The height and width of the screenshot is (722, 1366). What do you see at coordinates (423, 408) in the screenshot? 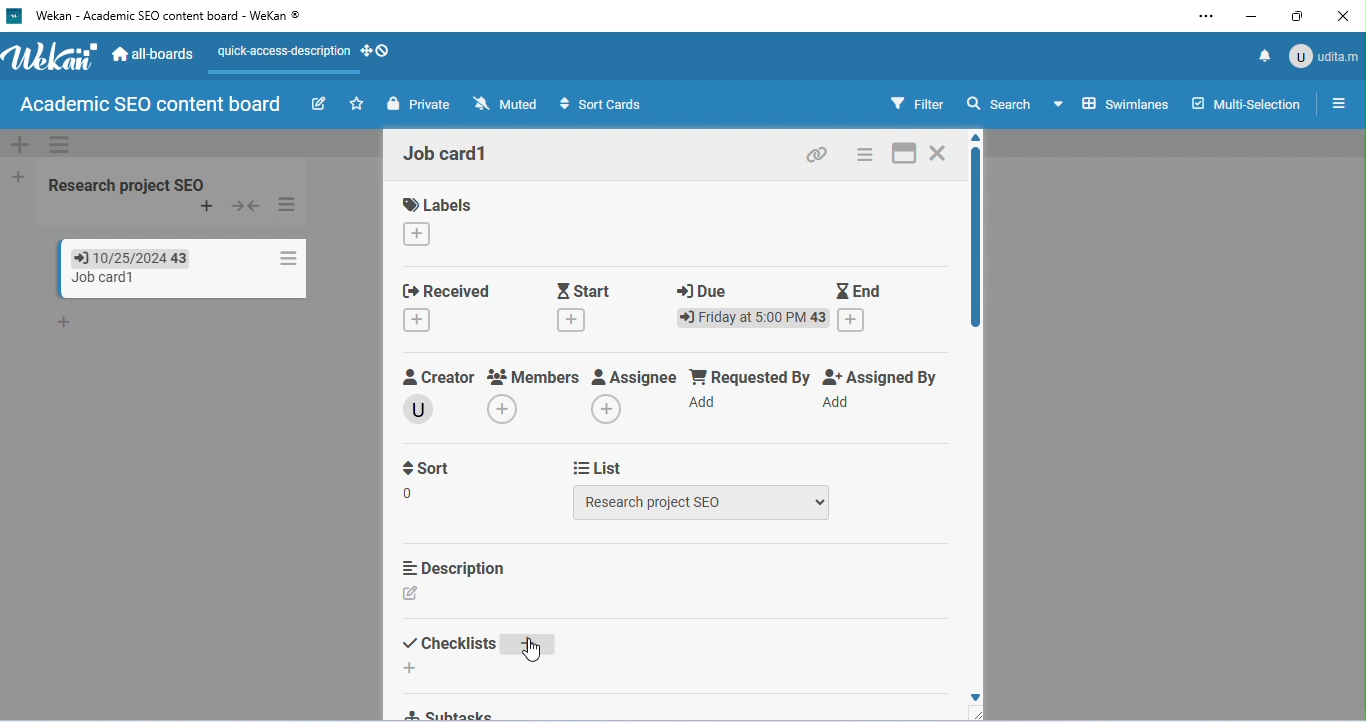
I see `creator name` at bounding box center [423, 408].